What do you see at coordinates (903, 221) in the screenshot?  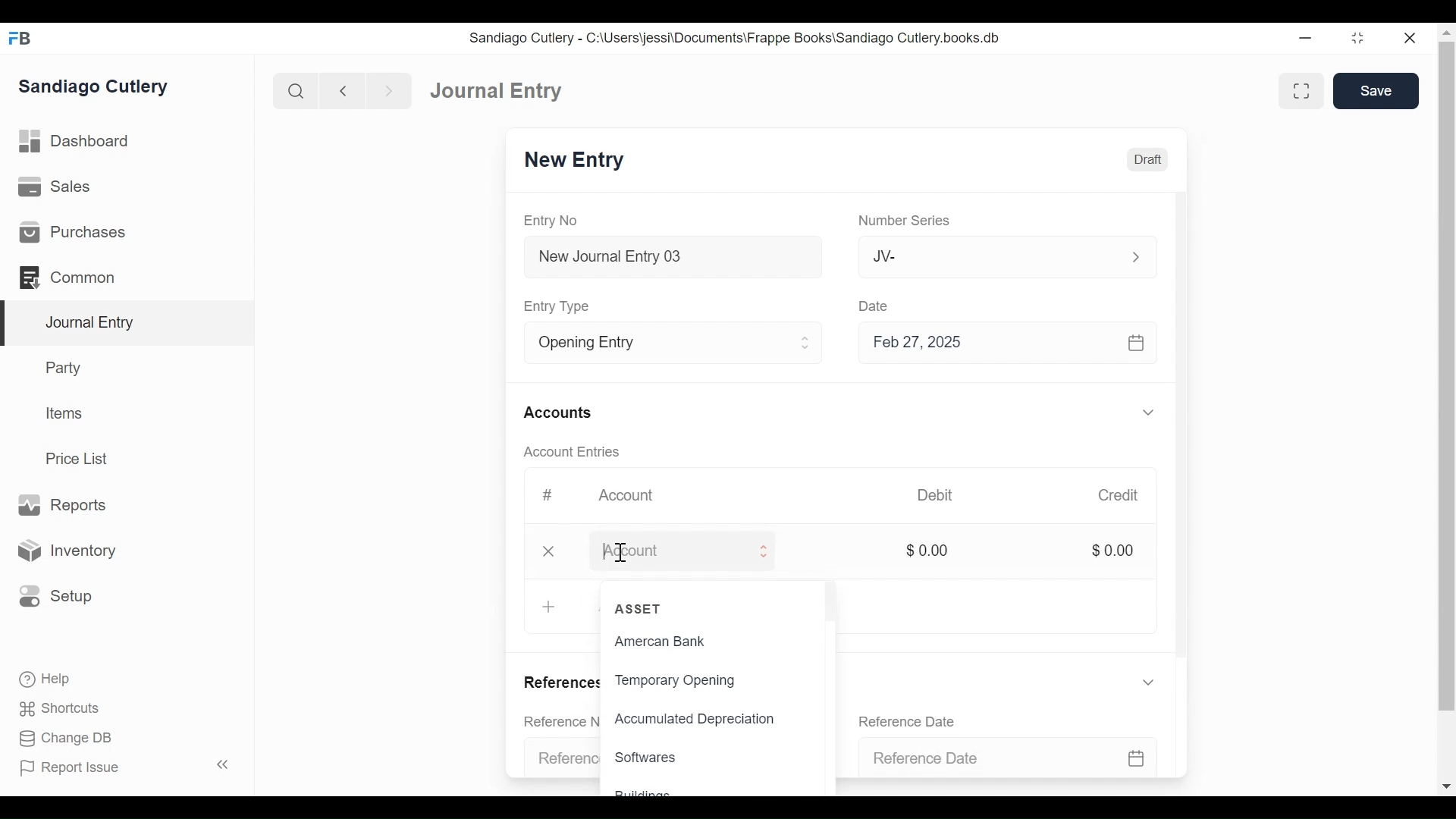 I see `Number Series` at bounding box center [903, 221].